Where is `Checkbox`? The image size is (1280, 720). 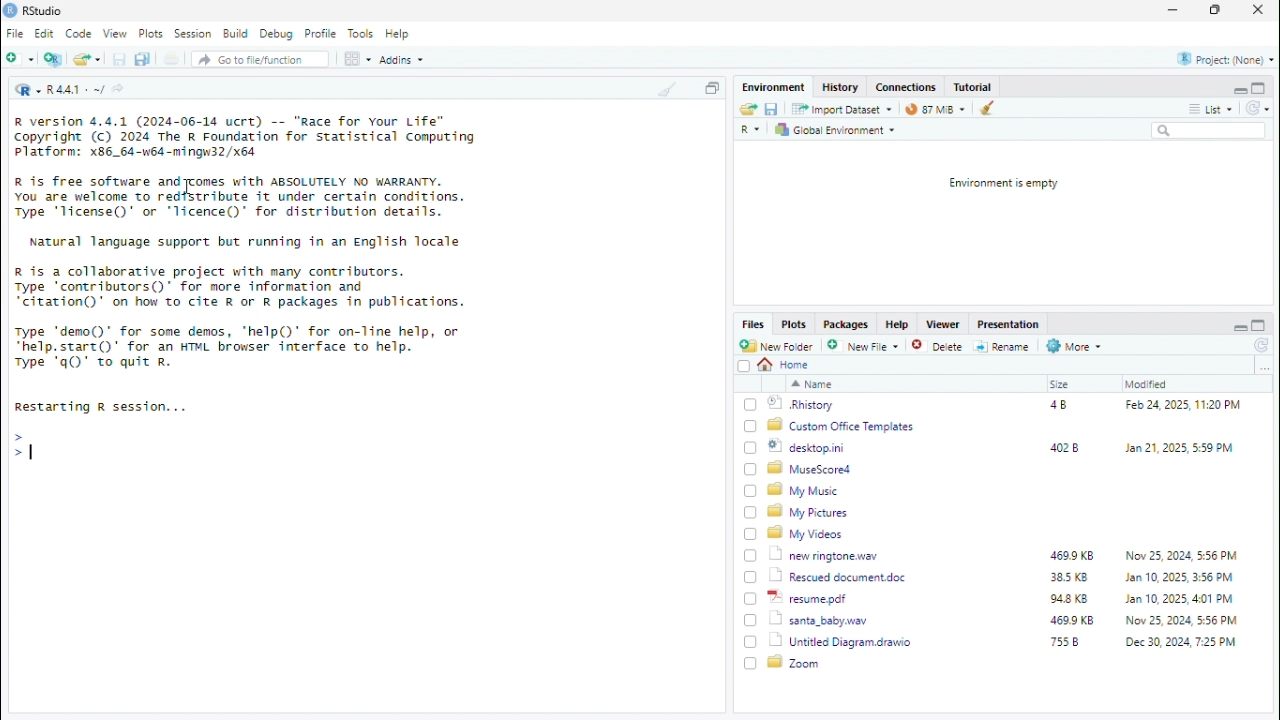
Checkbox is located at coordinates (751, 578).